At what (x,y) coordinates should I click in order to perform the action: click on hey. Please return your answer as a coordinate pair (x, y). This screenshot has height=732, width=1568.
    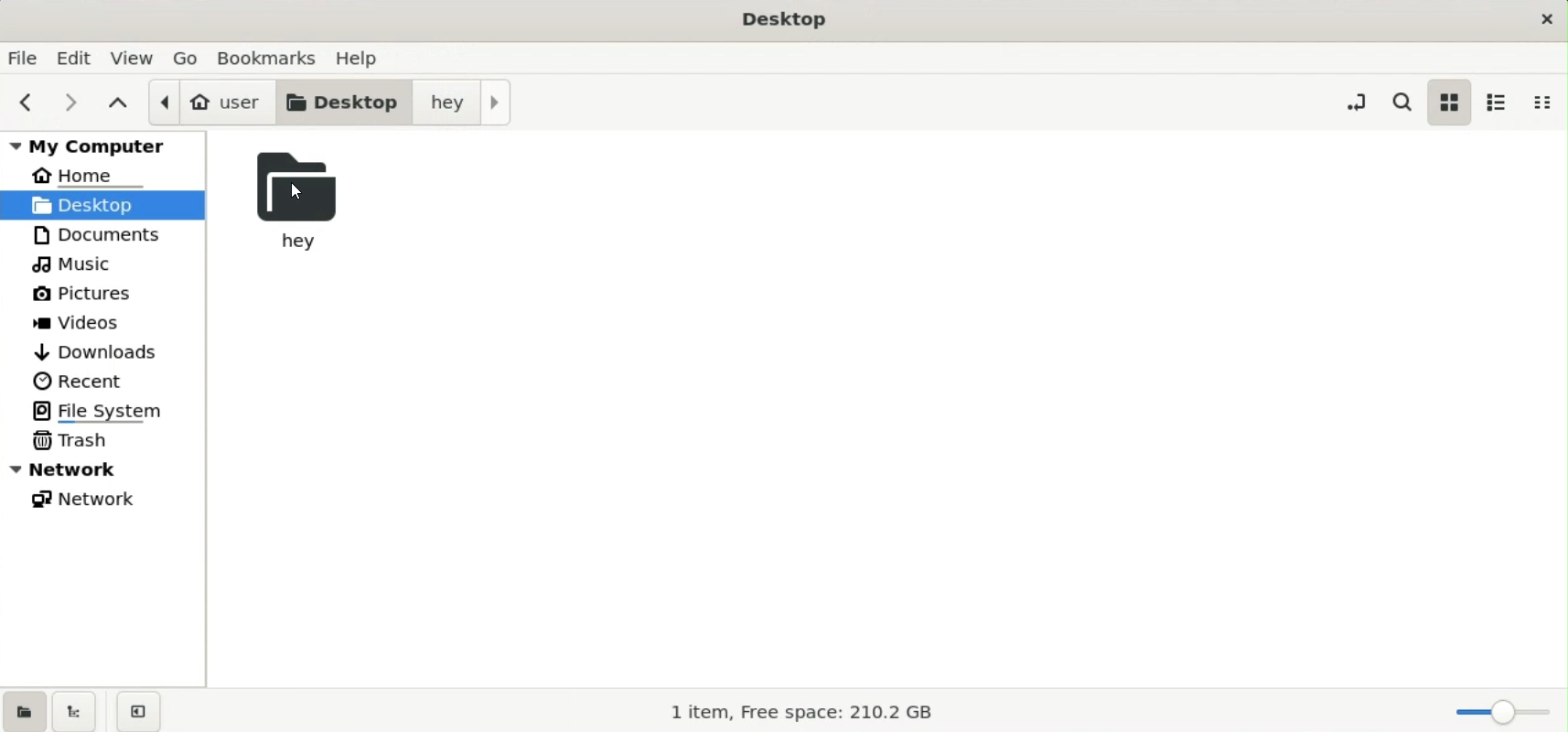
    Looking at the image, I should click on (290, 203).